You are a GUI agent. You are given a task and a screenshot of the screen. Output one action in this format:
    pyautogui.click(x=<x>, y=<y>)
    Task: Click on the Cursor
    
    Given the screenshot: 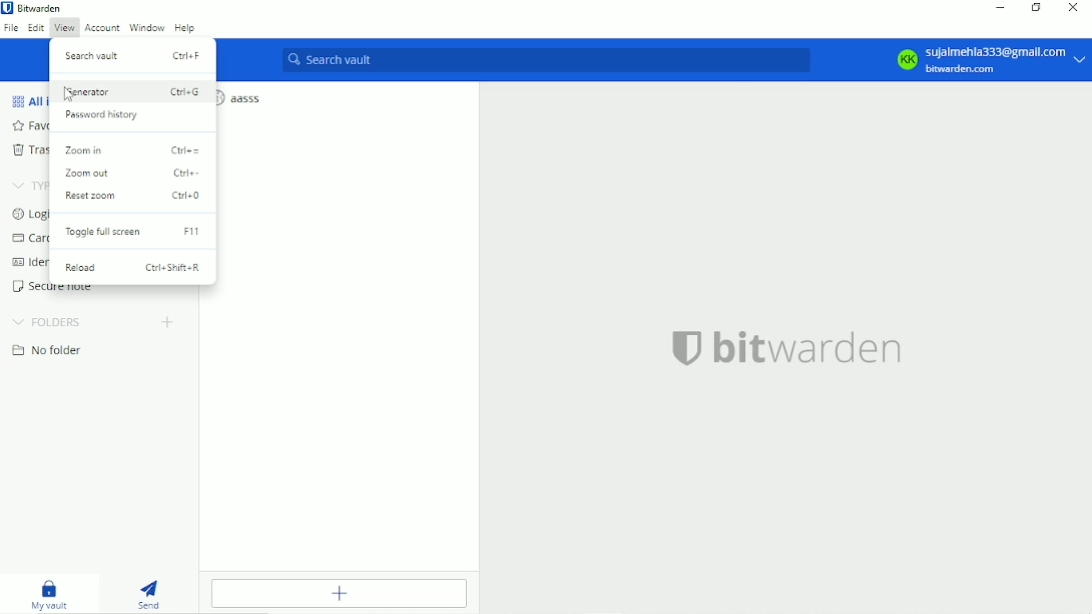 What is the action you would take?
    pyautogui.click(x=69, y=95)
    